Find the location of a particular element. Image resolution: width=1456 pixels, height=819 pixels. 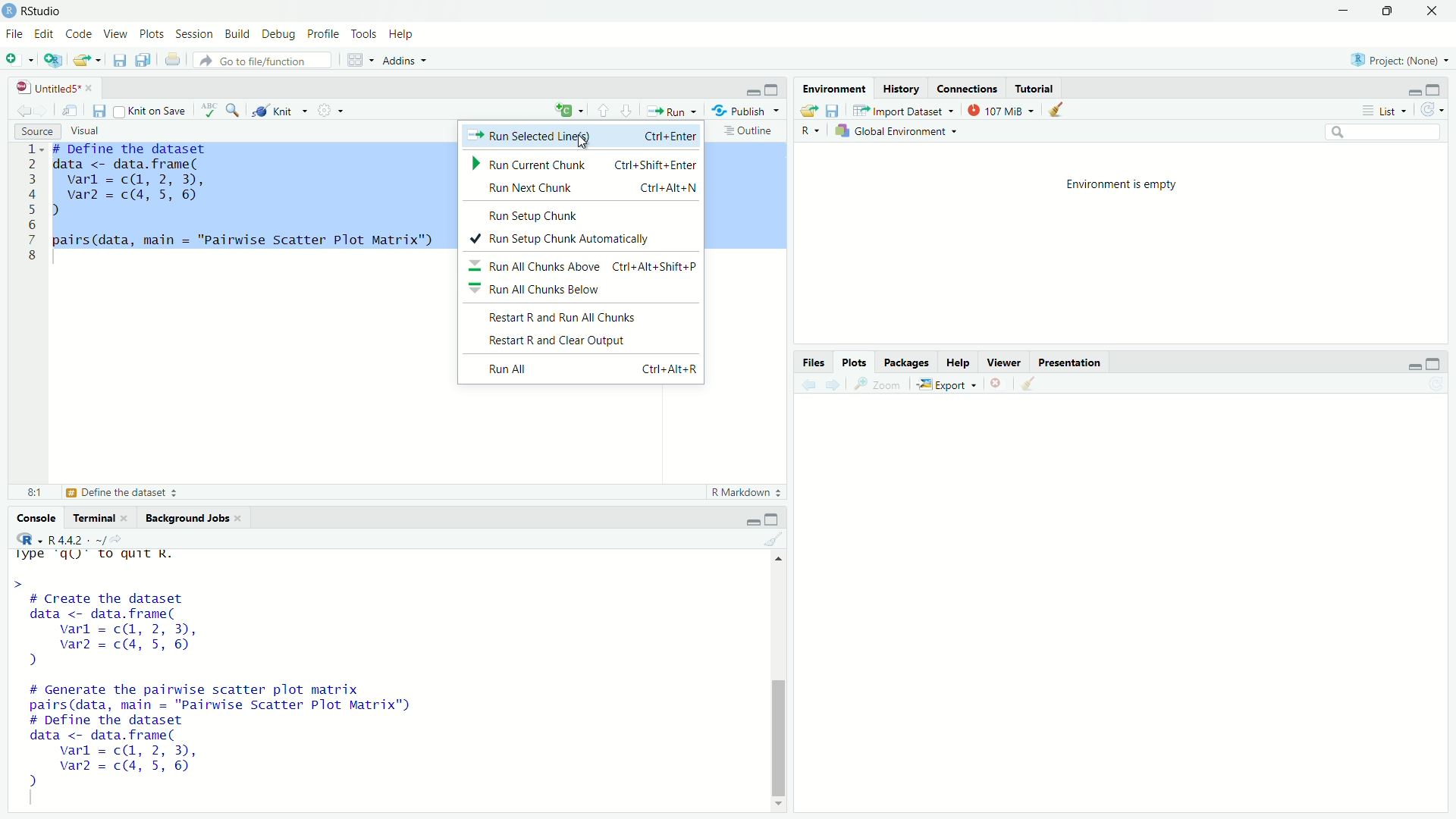

Save all open documents (Ctrl + Alt + S) is located at coordinates (143, 58).